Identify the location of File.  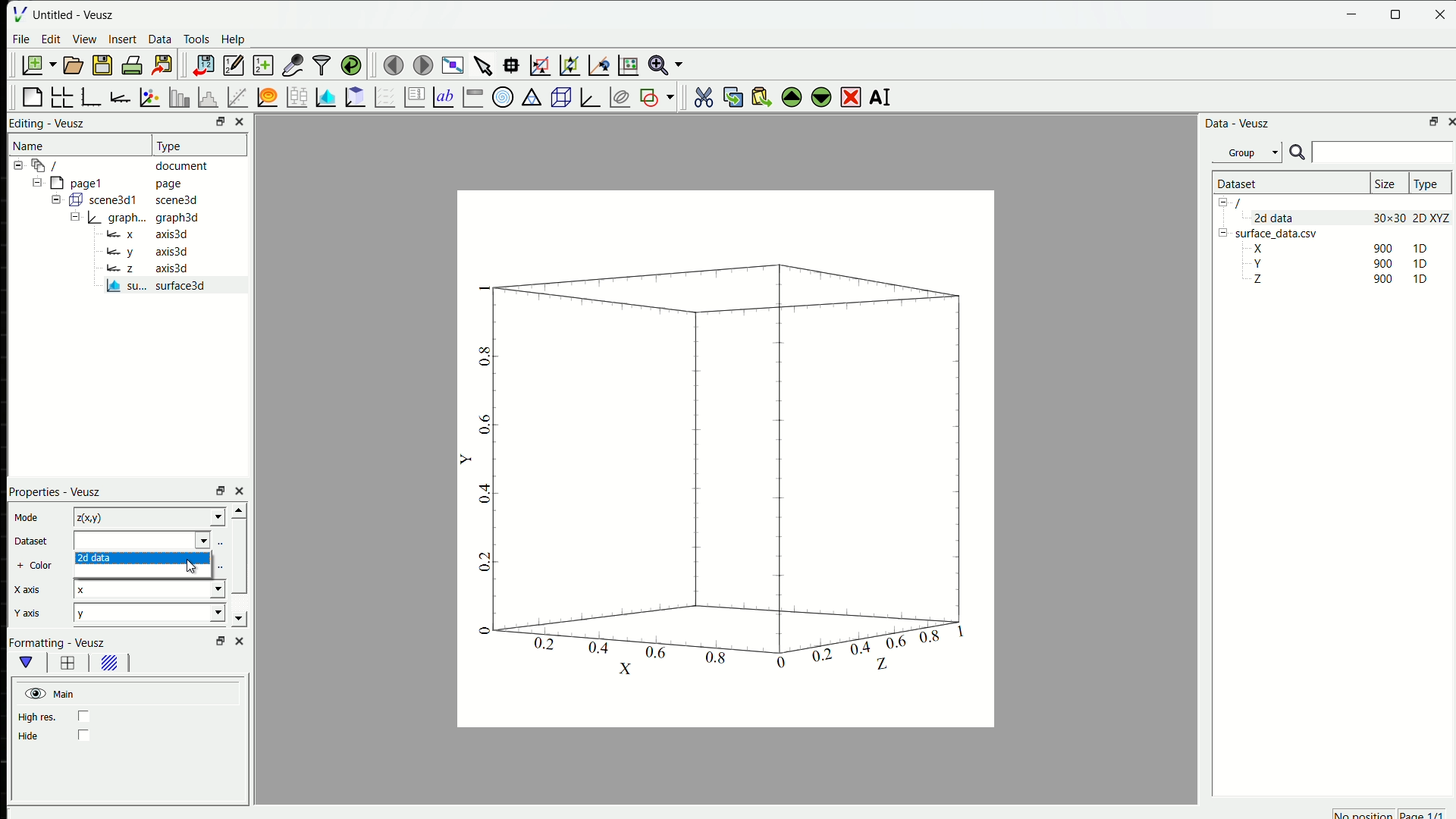
(22, 39).